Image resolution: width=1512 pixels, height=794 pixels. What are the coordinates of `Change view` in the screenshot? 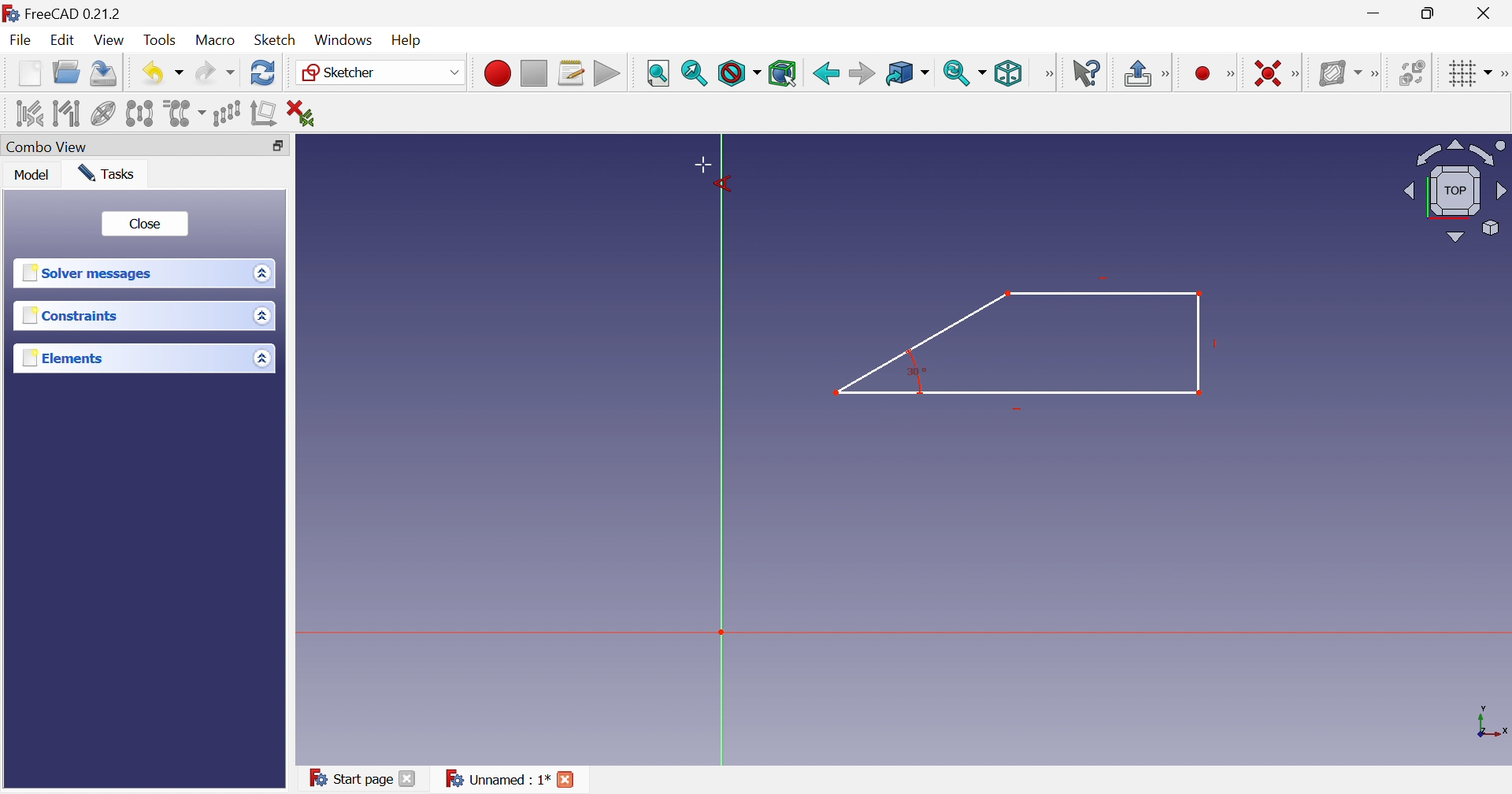 It's located at (277, 146).